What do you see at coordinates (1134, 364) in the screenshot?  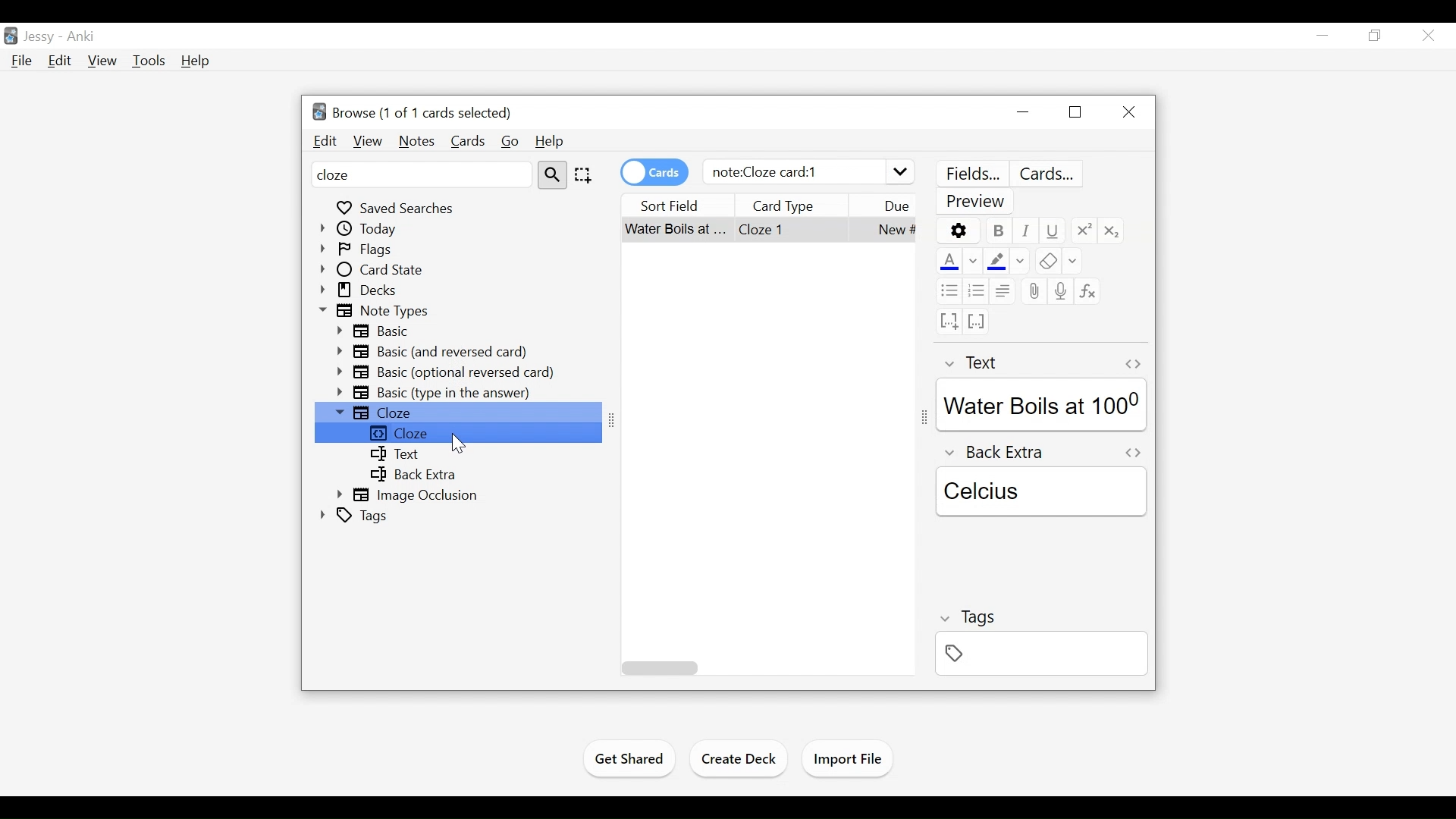 I see `Toggle HTML Editor` at bounding box center [1134, 364].